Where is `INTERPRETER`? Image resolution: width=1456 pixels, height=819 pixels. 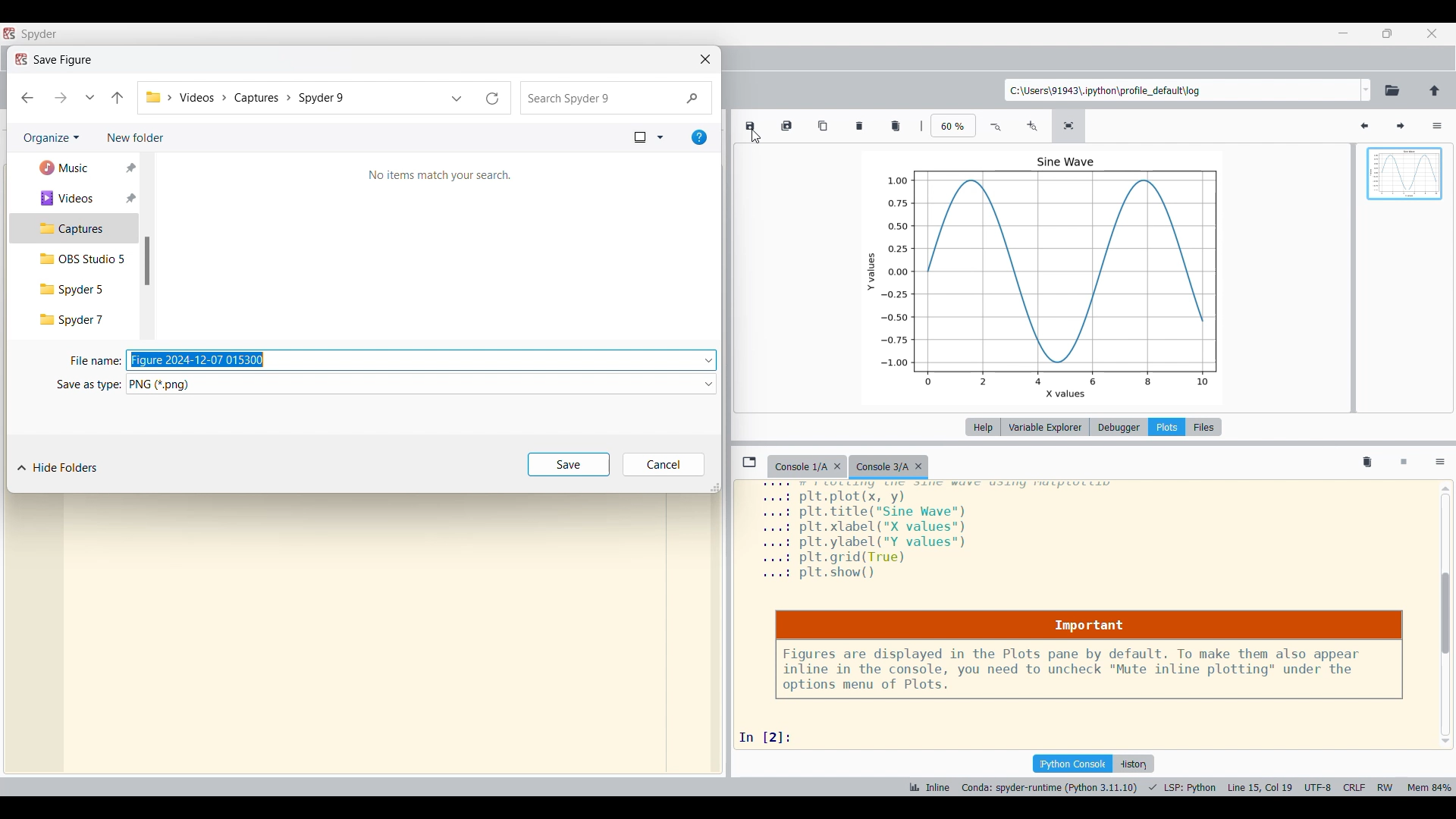 INTERPRETER is located at coordinates (1050, 787).